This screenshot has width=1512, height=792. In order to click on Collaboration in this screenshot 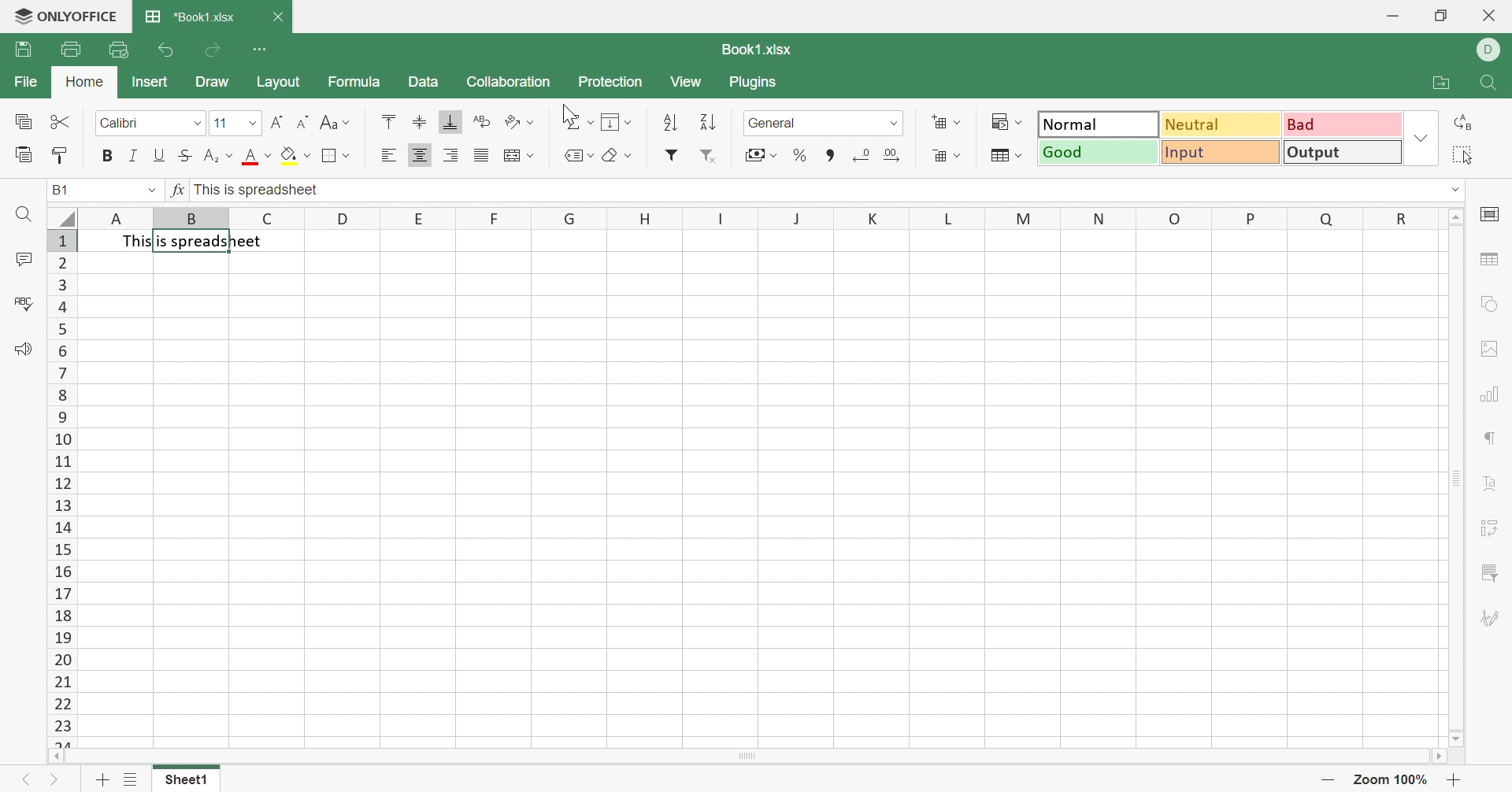, I will do `click(509, 80)`.